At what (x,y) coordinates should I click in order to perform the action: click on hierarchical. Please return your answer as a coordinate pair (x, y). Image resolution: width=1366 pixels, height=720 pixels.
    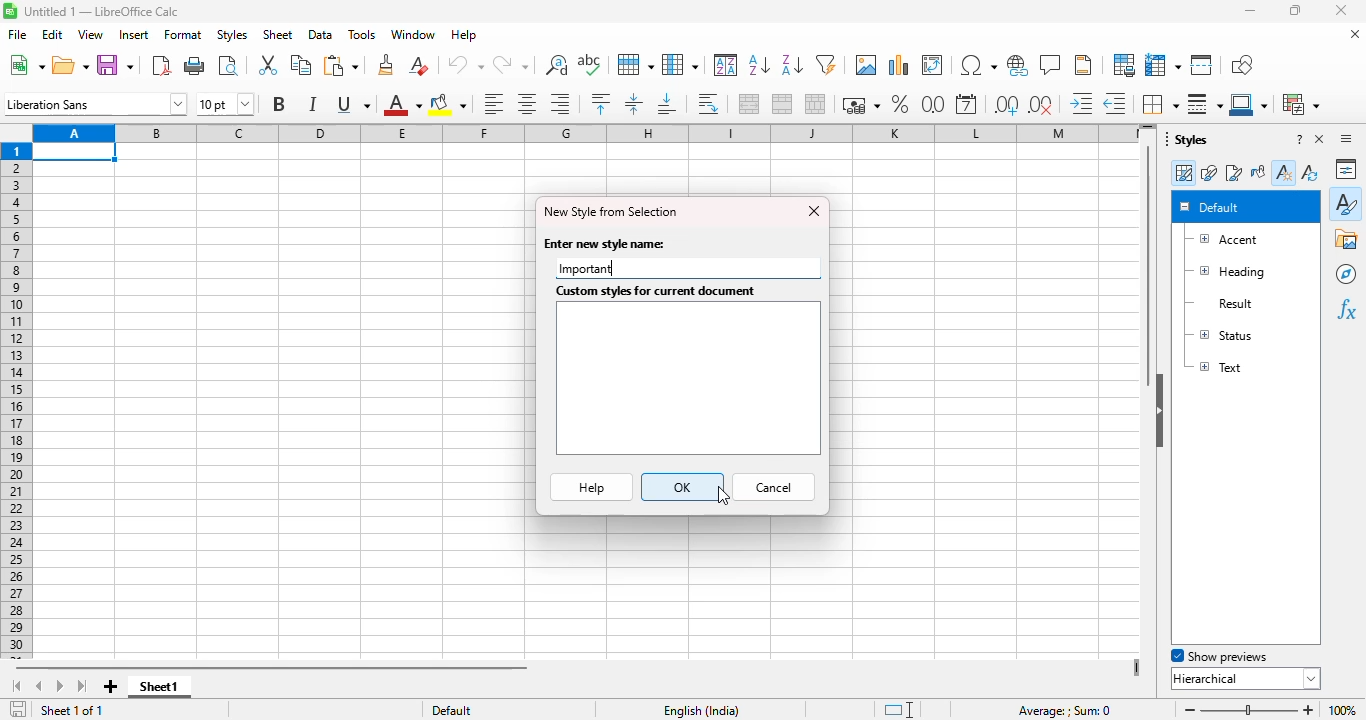
    Looking at the image, I should click on (1246, 678).